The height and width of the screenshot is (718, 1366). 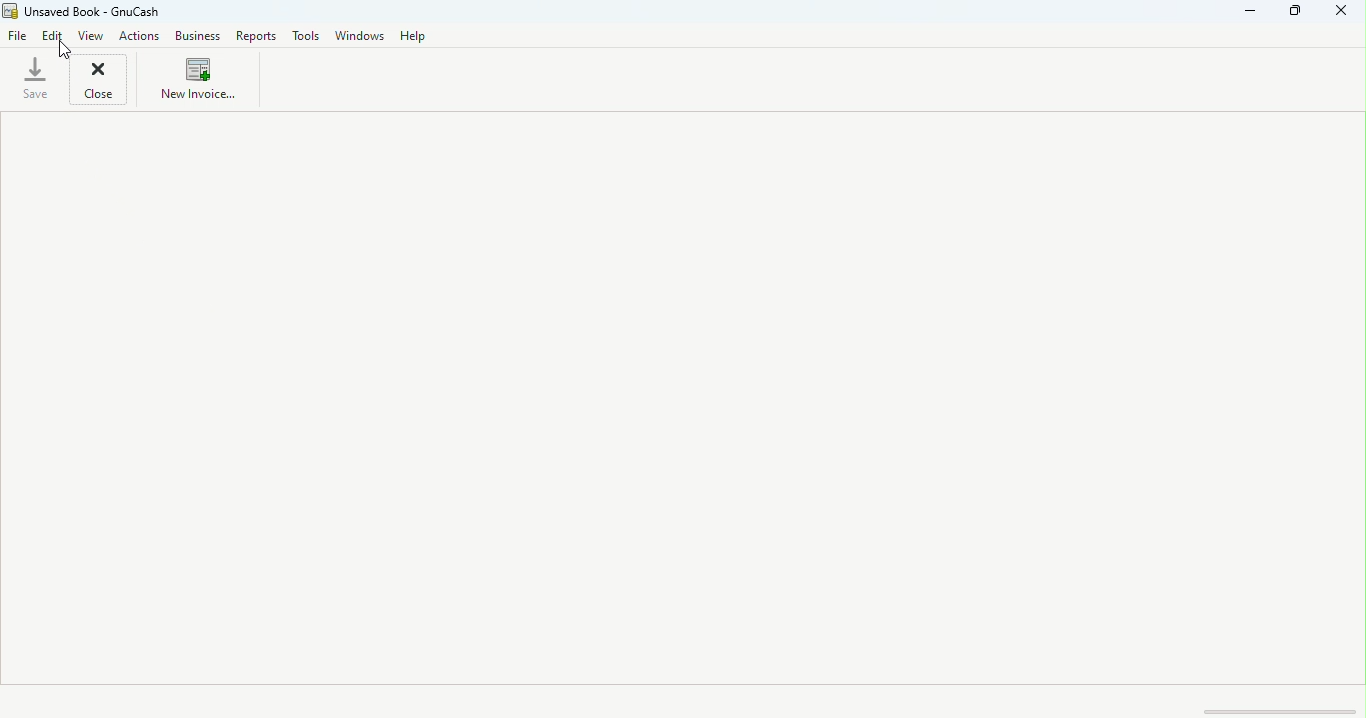 What do you see at coordinates (683, 701) in the screenshot?
I see `Status bar` at bounding box center [683, 701].